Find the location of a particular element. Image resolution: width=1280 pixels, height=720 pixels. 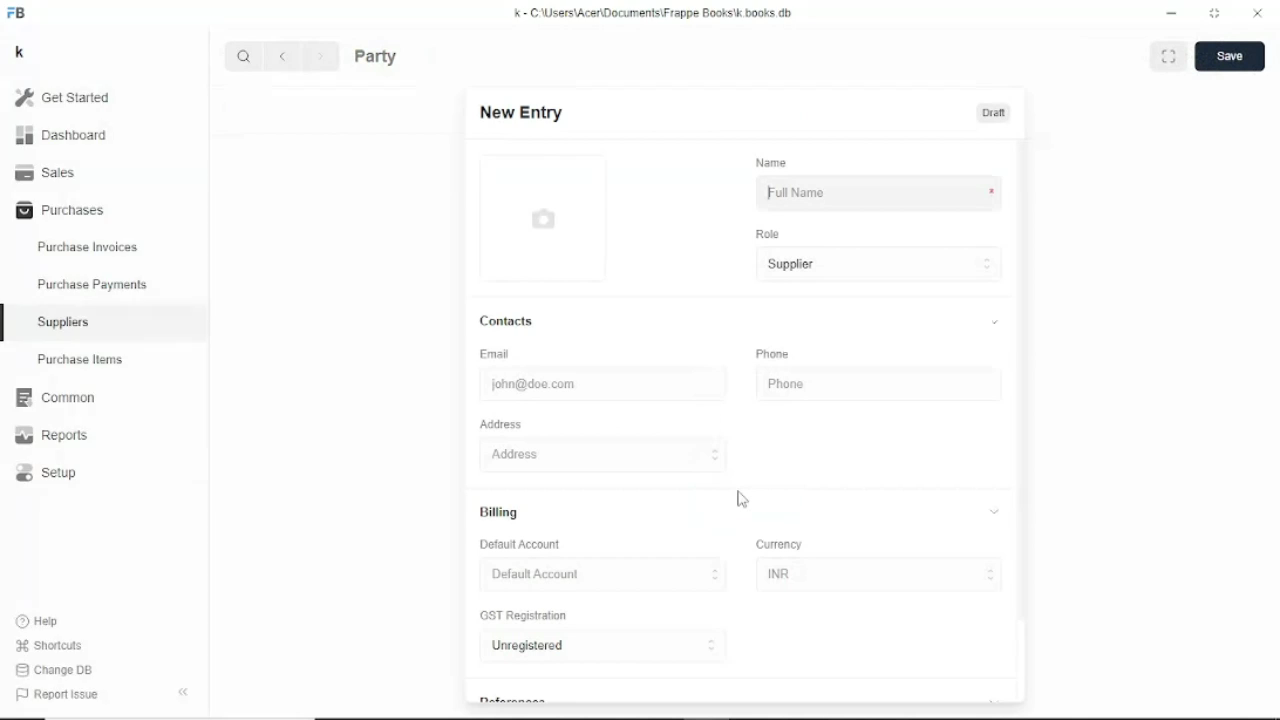

Reports is located at coordinates (53, 435).